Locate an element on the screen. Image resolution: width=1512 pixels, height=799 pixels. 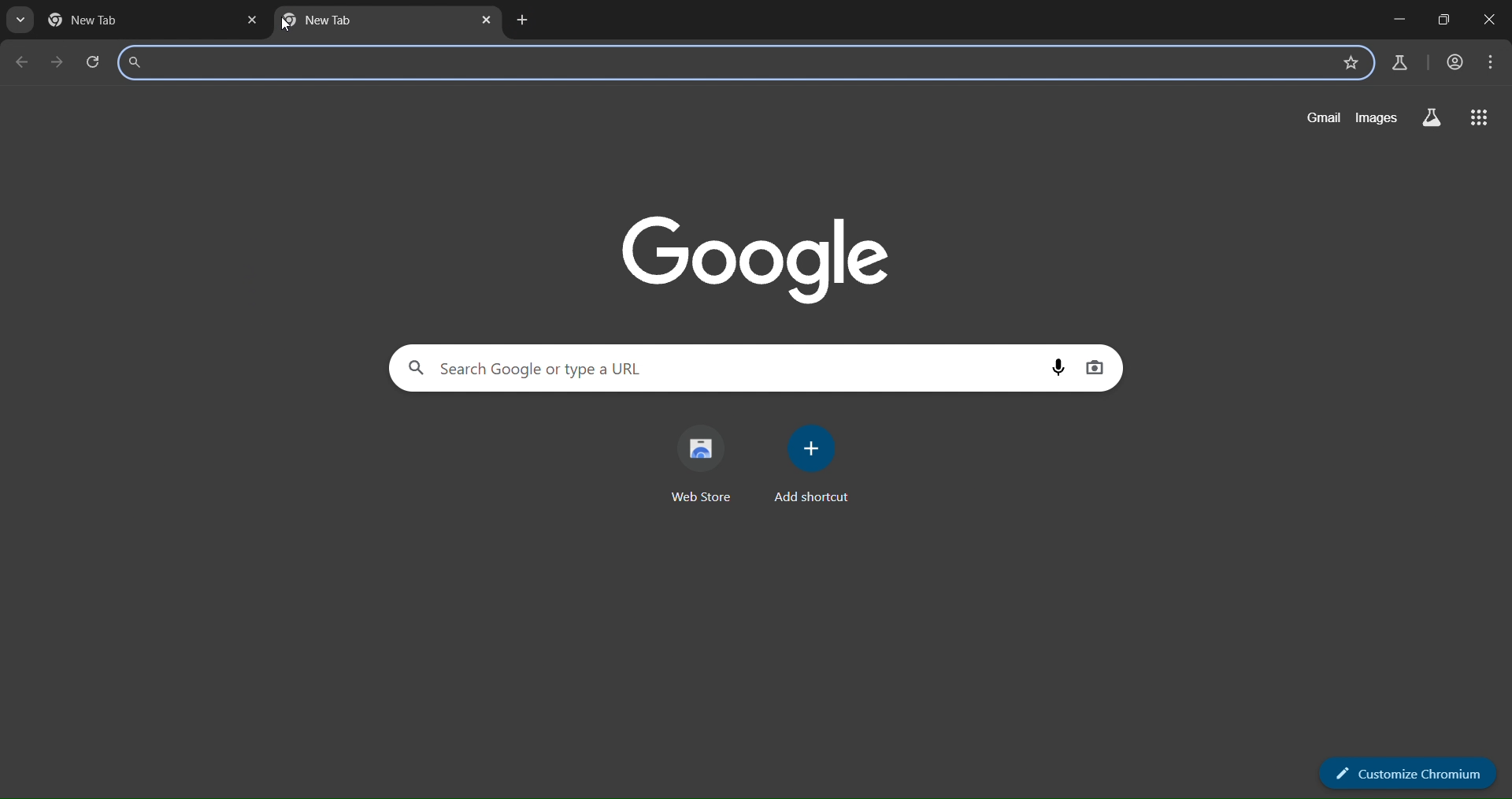
images is located at coordinates (1378, 118).